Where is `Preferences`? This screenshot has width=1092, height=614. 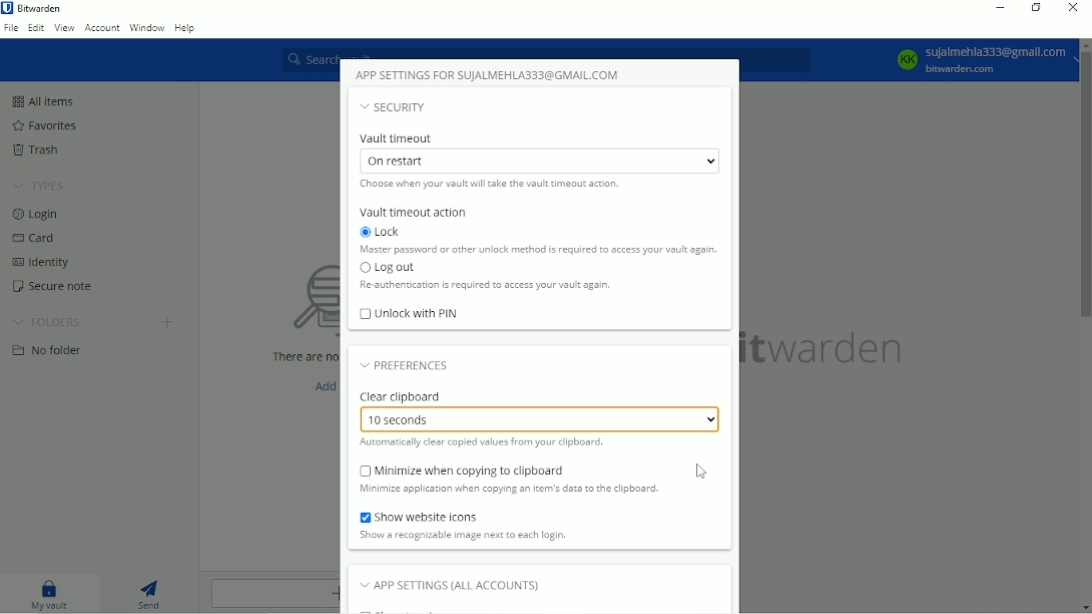
Preferences is located at coordinates (405, 365).